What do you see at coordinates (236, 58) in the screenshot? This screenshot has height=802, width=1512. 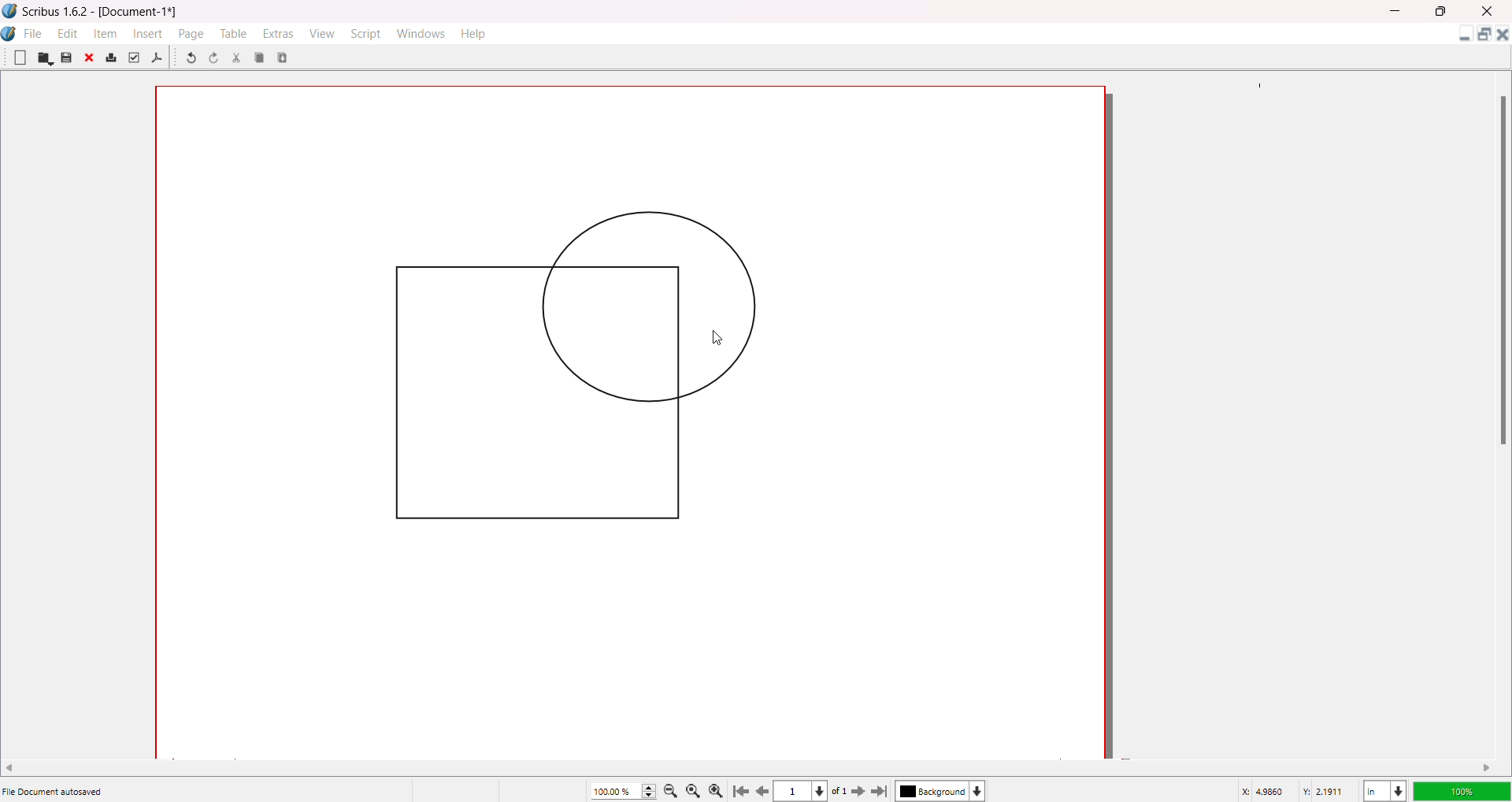 I see `Cut` at bounding box center [236, 58].